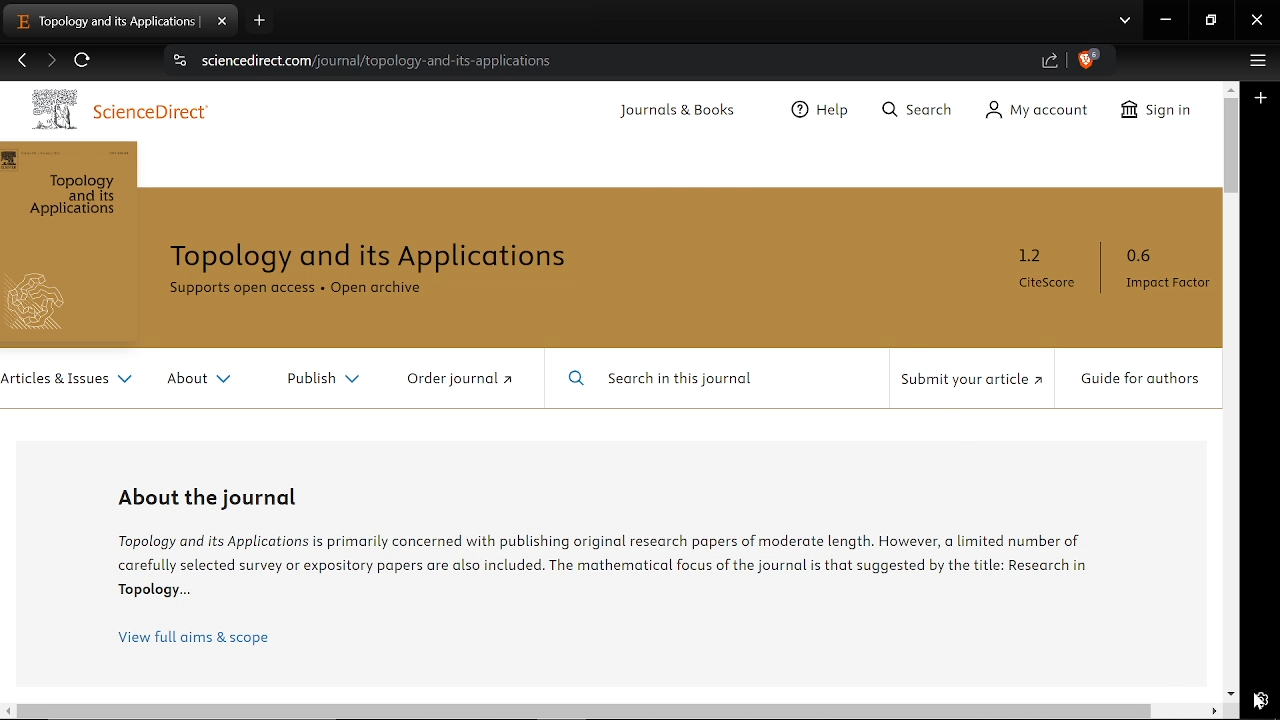  I want to click on Move up, so click(1231, 88).